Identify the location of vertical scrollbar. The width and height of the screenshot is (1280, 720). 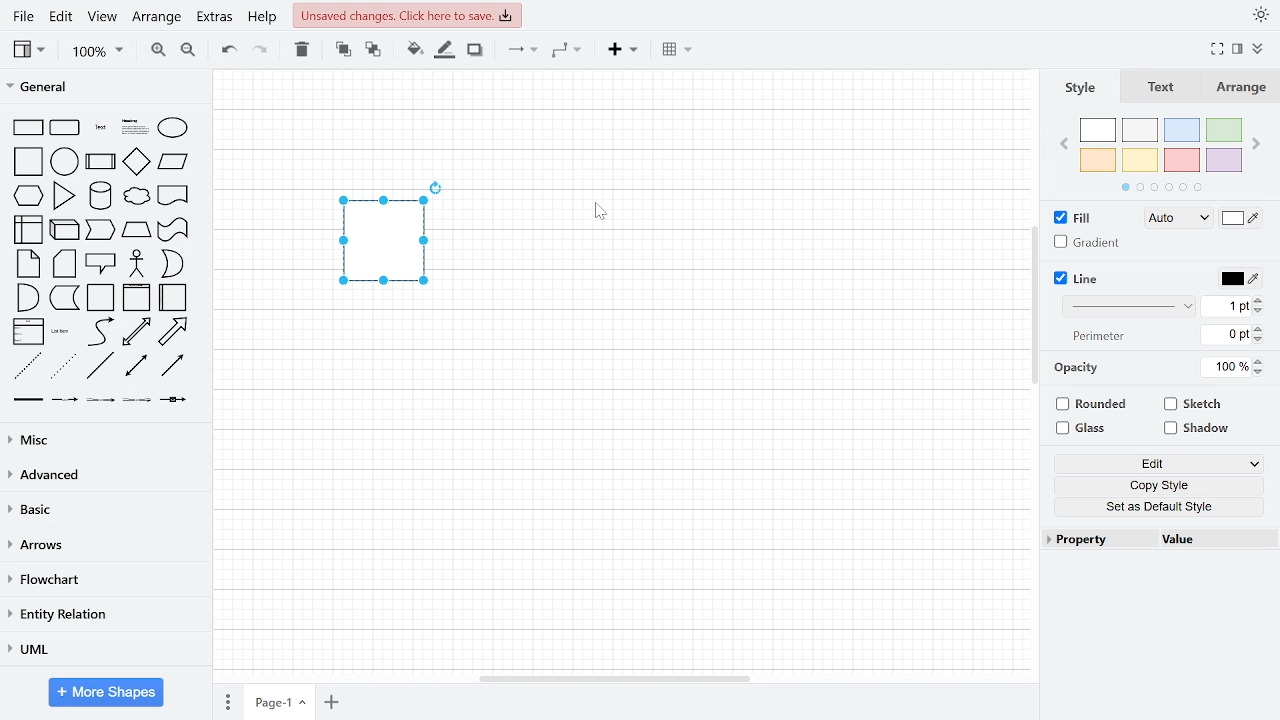
(1035, 307).